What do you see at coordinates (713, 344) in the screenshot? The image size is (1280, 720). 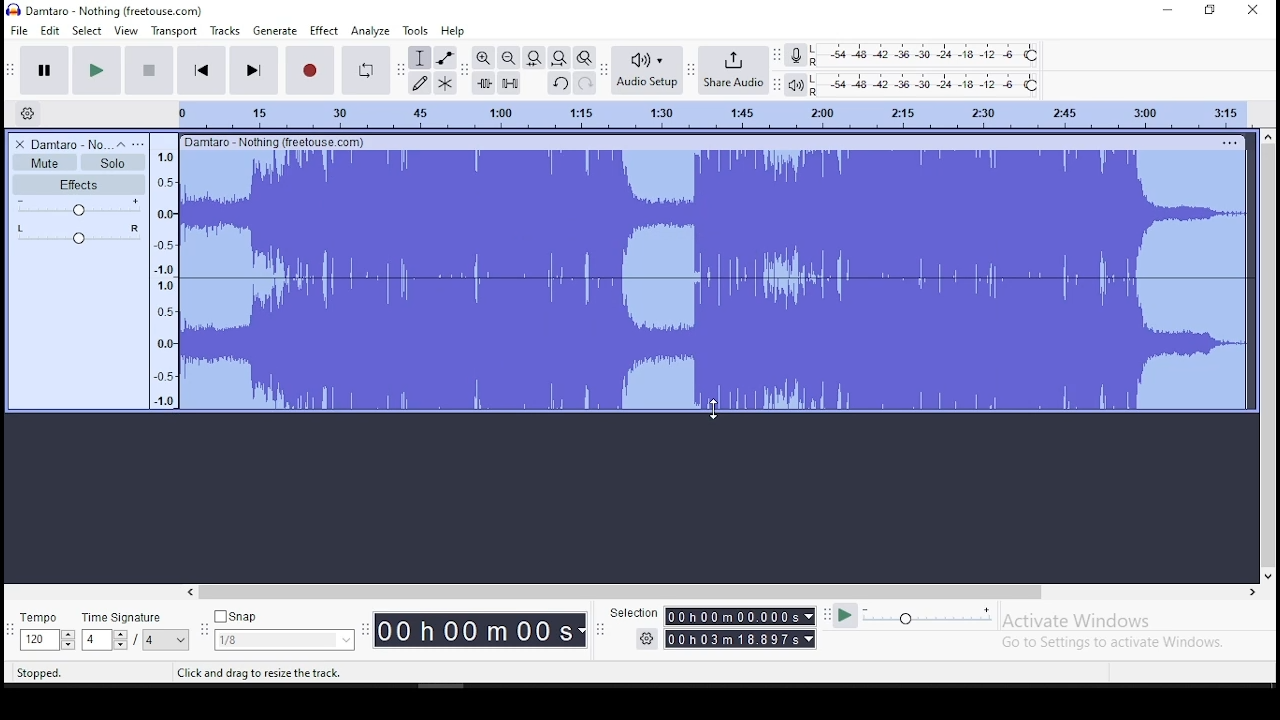 I see `audio track` at bounding box center [713, 344].